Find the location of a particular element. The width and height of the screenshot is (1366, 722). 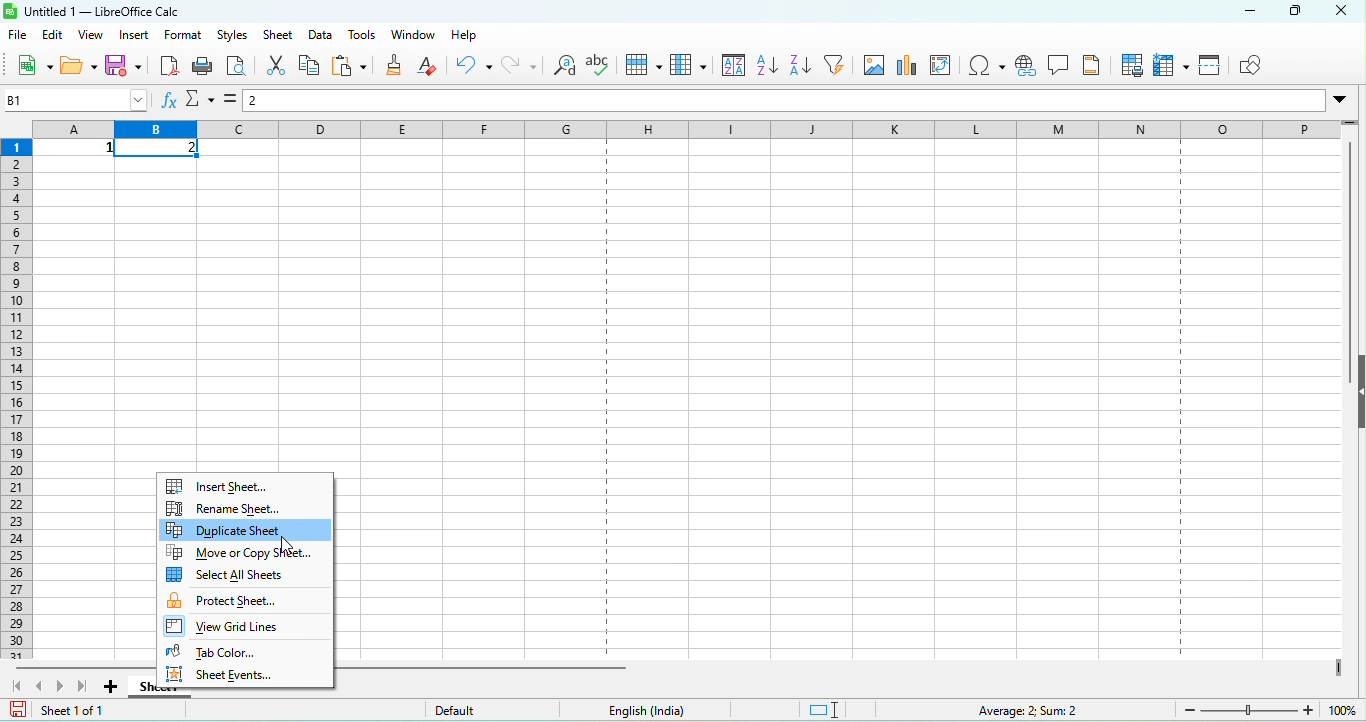

split window is located at coordinates (1213, 67).